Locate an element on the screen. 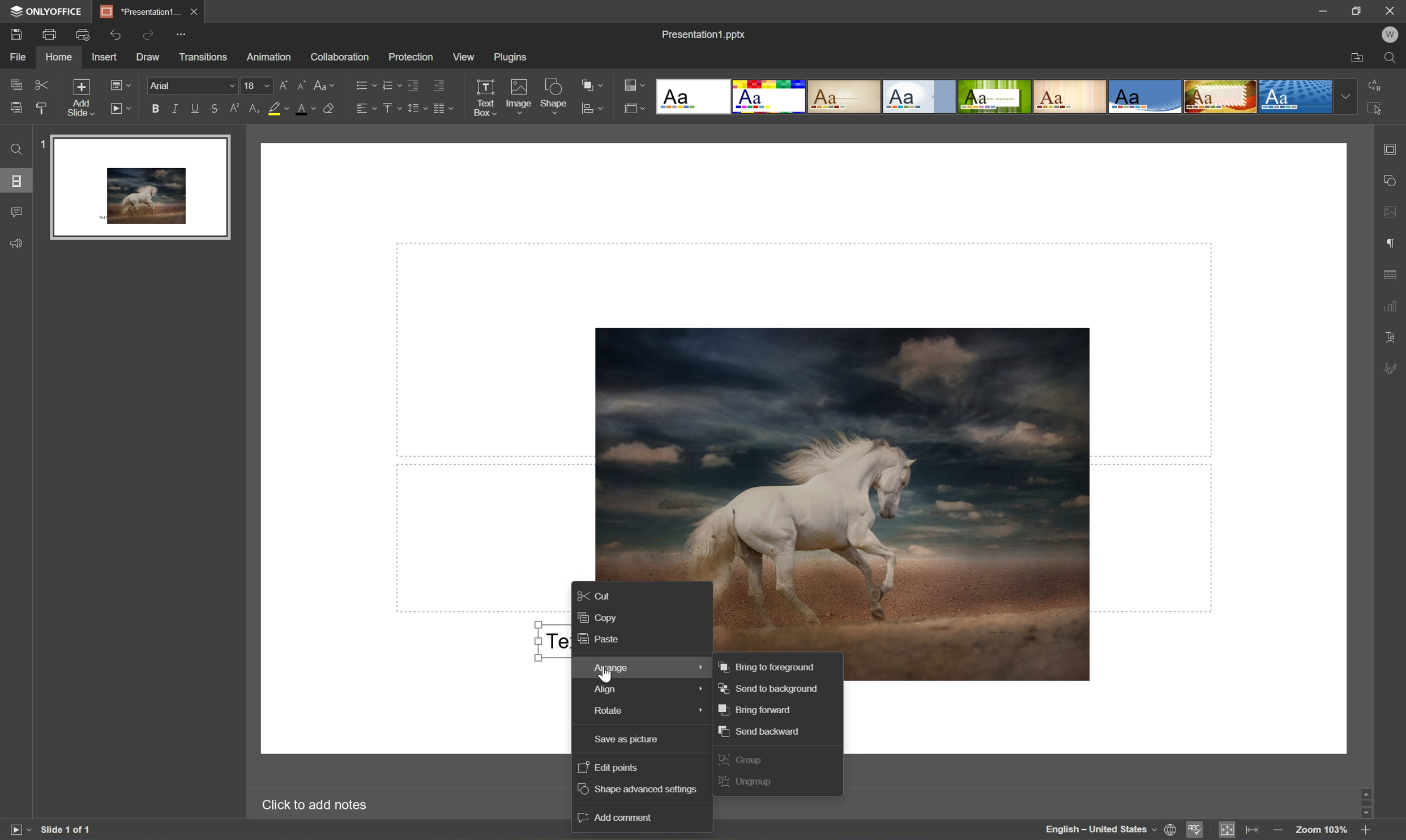  Draw is located at coordinates (151, 58).